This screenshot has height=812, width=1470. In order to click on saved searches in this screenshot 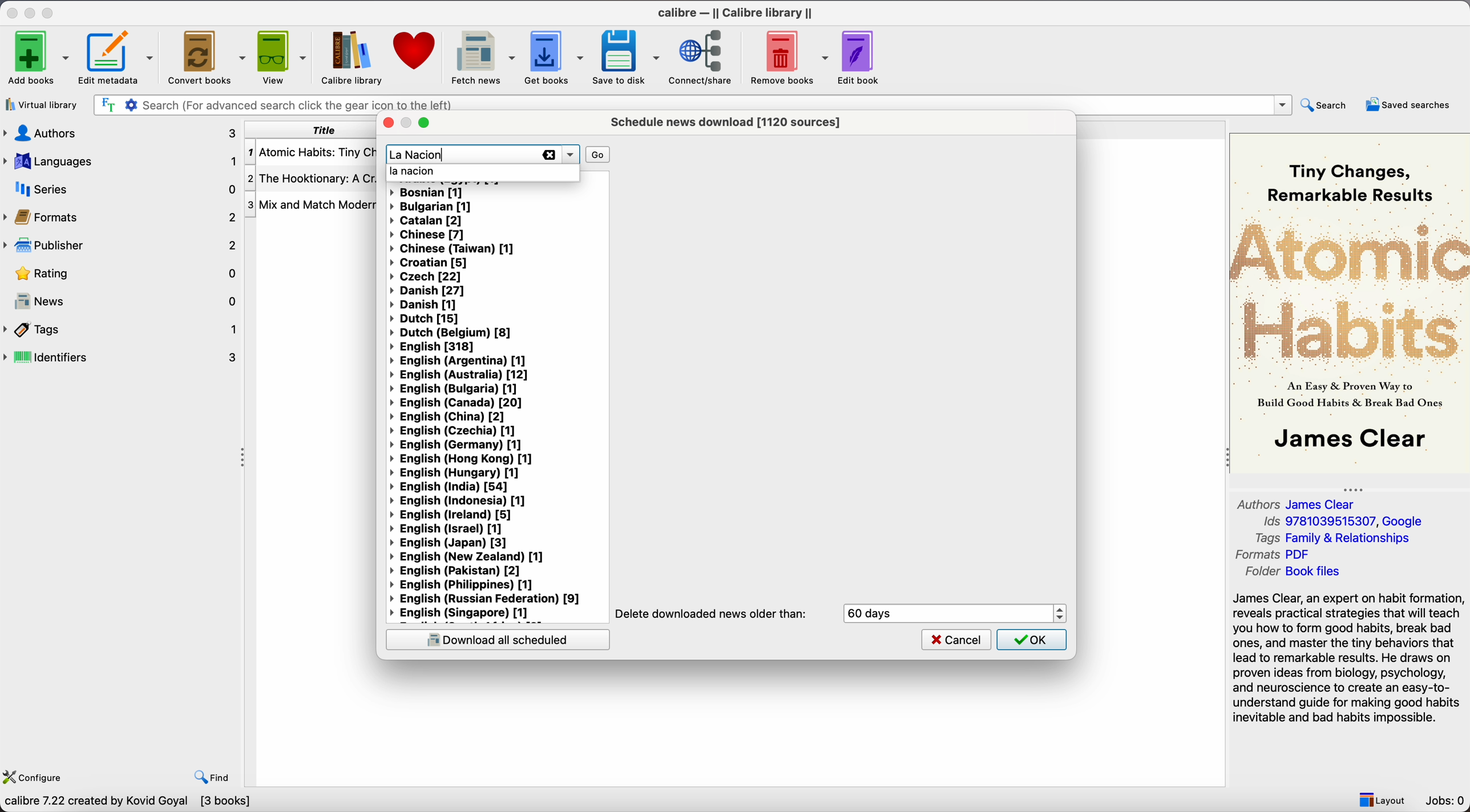, I will do `click(1411, 104)`.